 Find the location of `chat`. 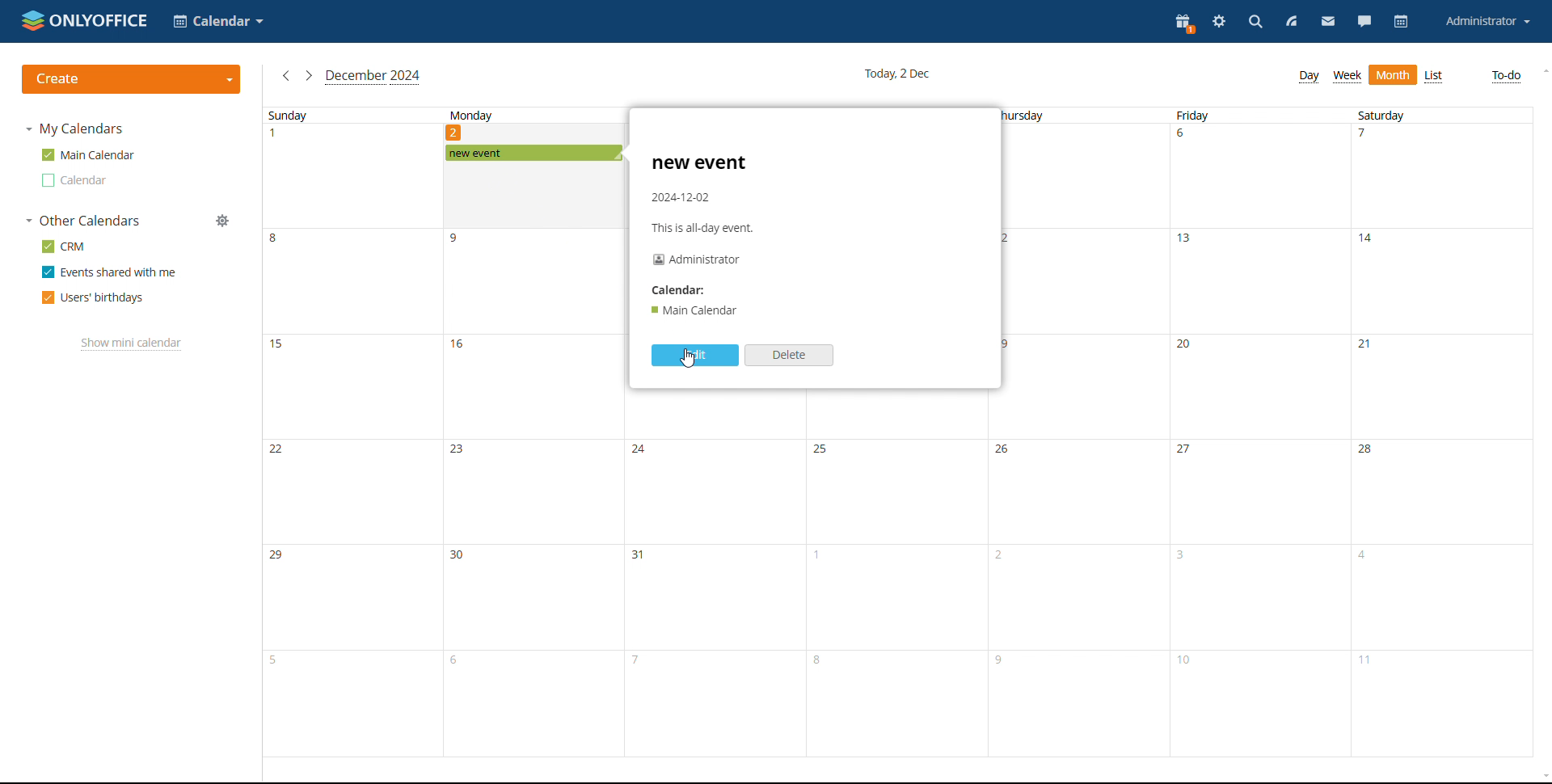

chat is located at coordinates (1365, 23).